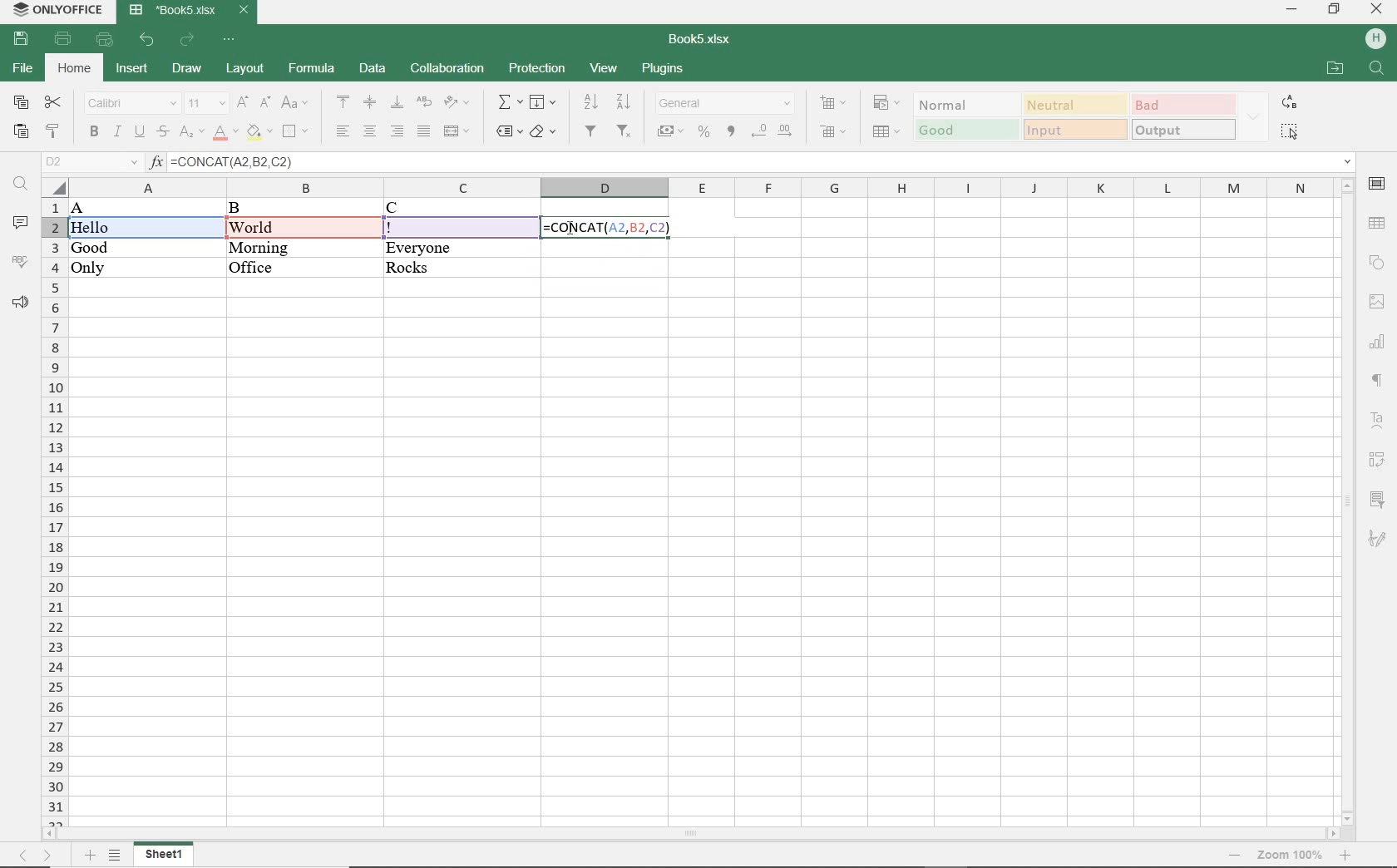  What do you see at coordinates (590, 131) in the screenshot?
I see `FILTER` at bounding box center [590, 131].